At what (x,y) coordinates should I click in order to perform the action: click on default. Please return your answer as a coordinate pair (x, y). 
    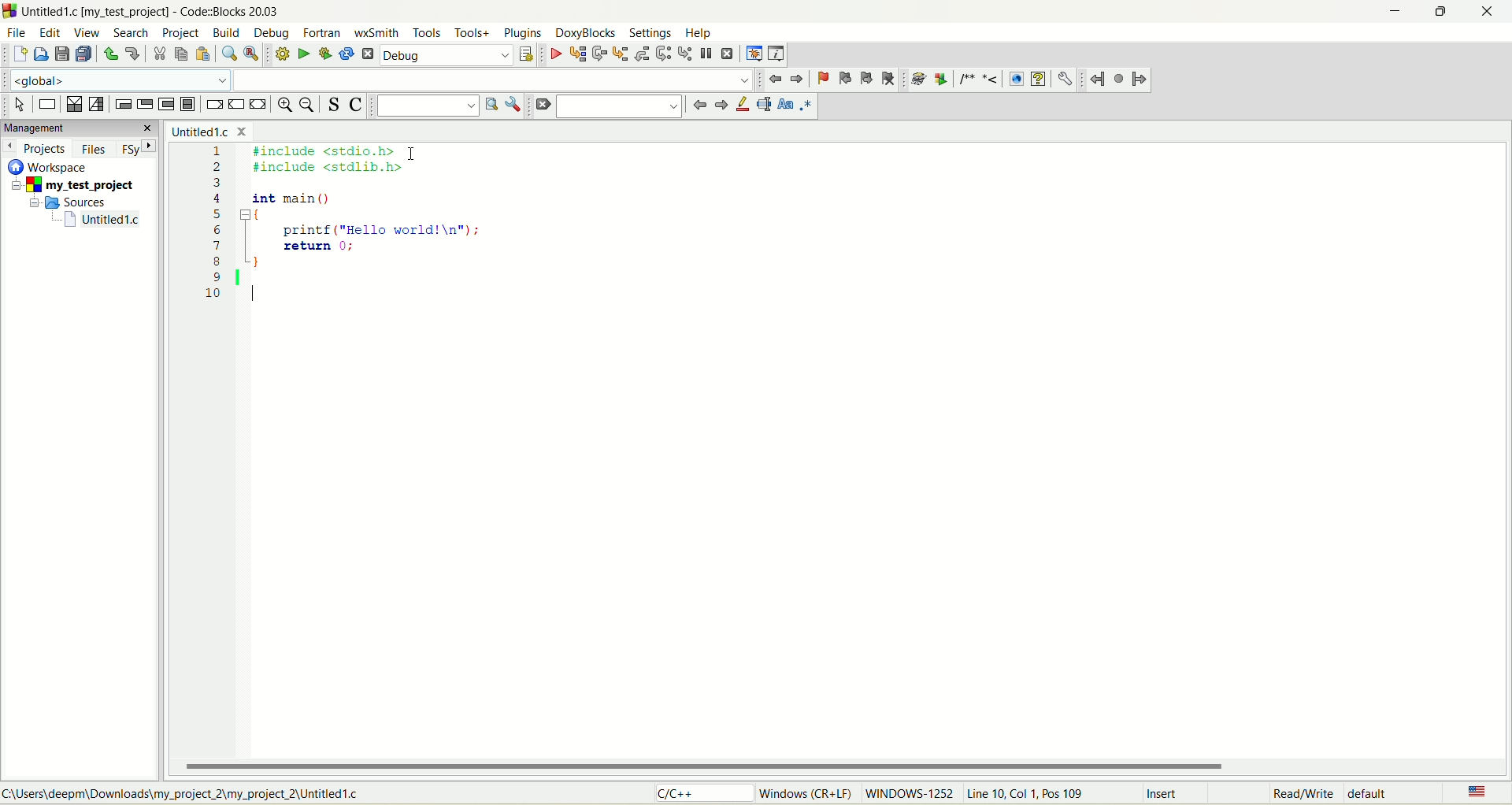
    Looking at the image, I should click on (1379, 795).